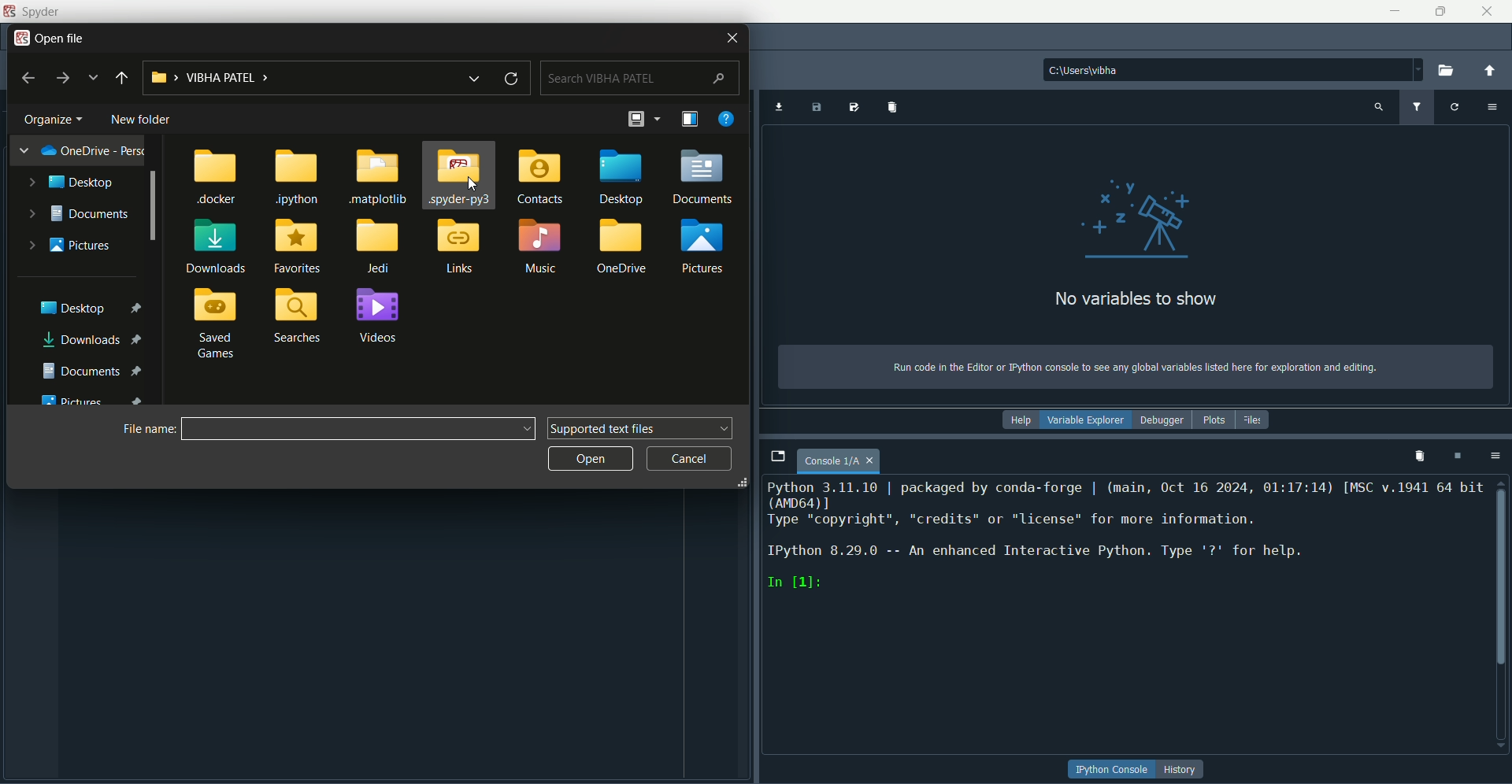 This screenshot has width=1512, height=784. What do you see at coordinates (149, 427) in the screenshot?
I see `file name` at bounding box center [149, 427].